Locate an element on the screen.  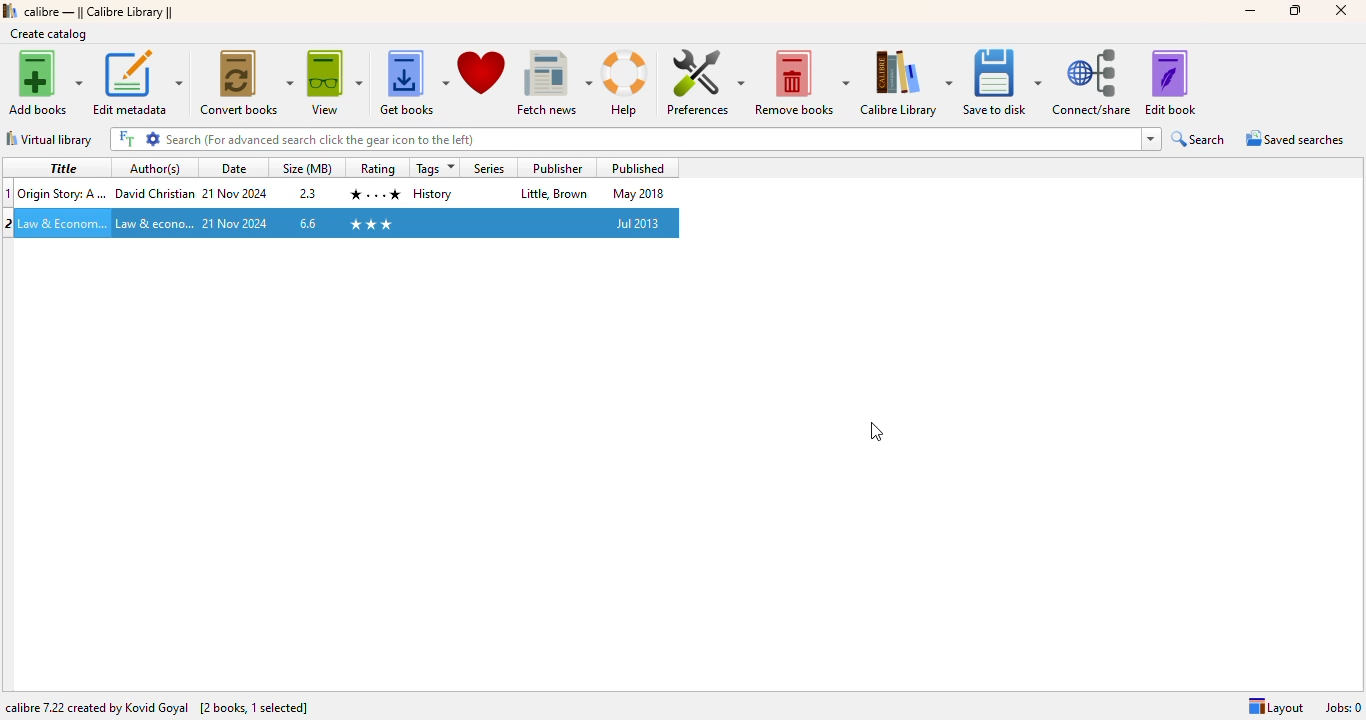
size(MB) is located at coordinates (309, 168).